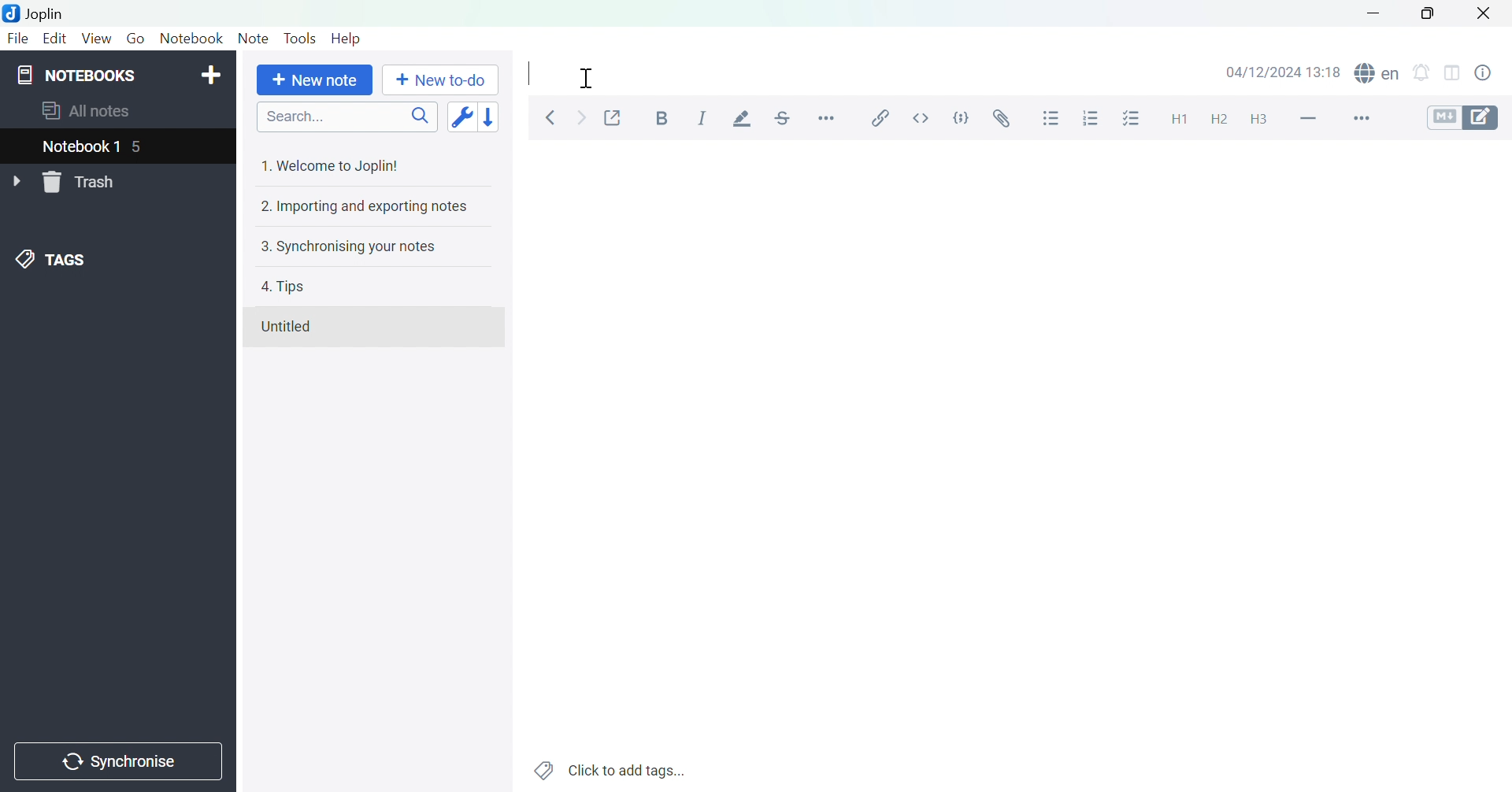  Describe the element at coordinates (550, 117) in the screenshot. I see `Back` at that location.